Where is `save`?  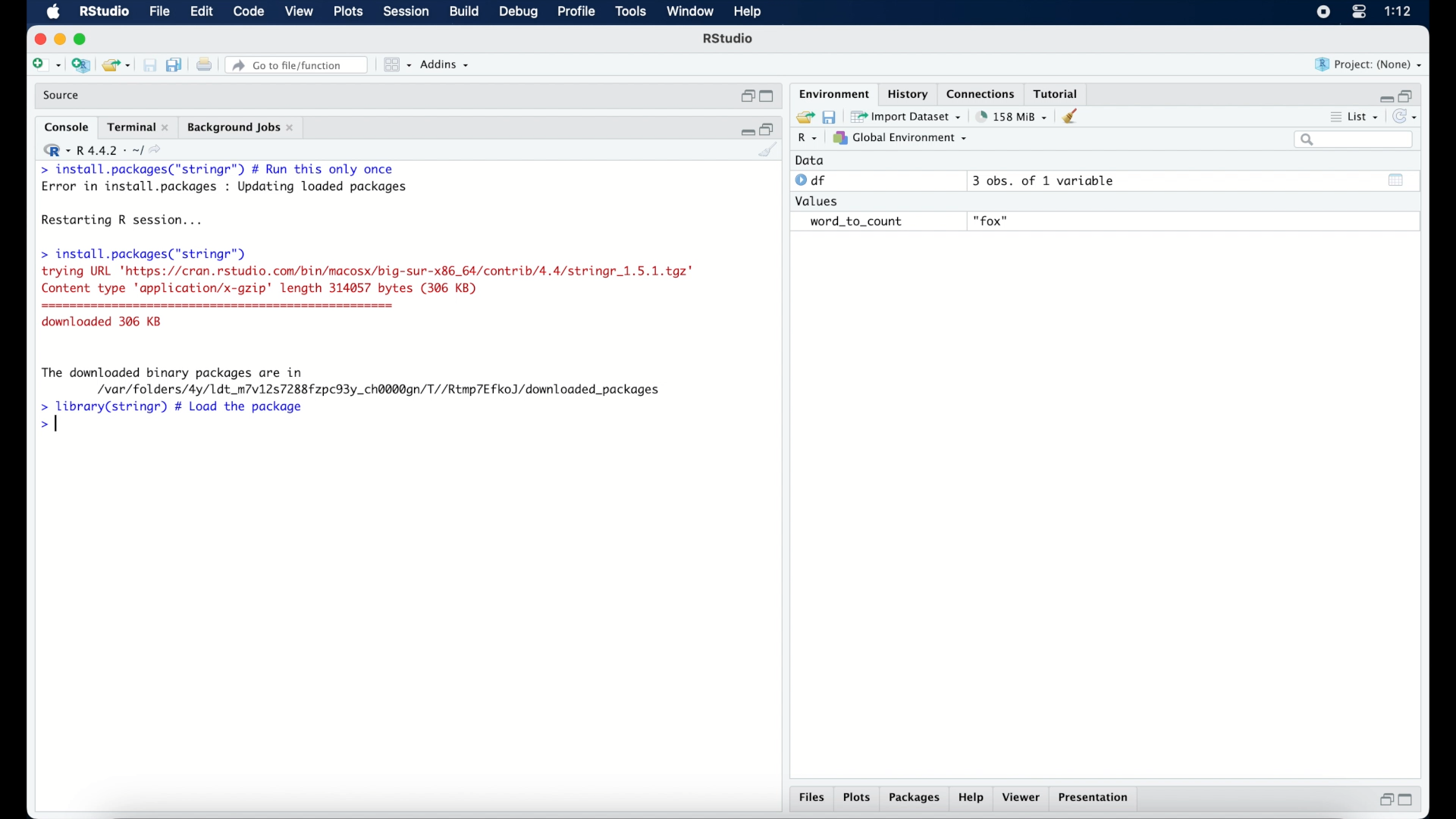 save is located at coordinates (152, 66).